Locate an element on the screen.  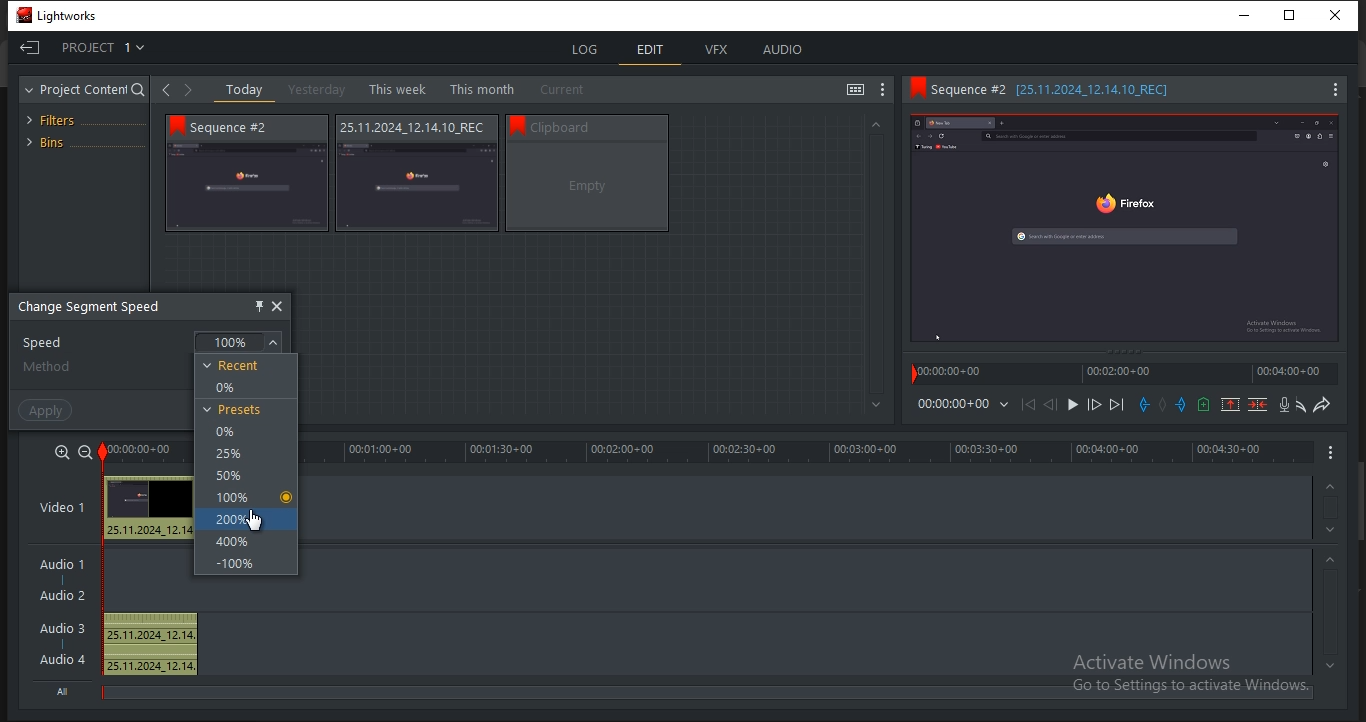
bookmark is located at coordinates (176, 127).